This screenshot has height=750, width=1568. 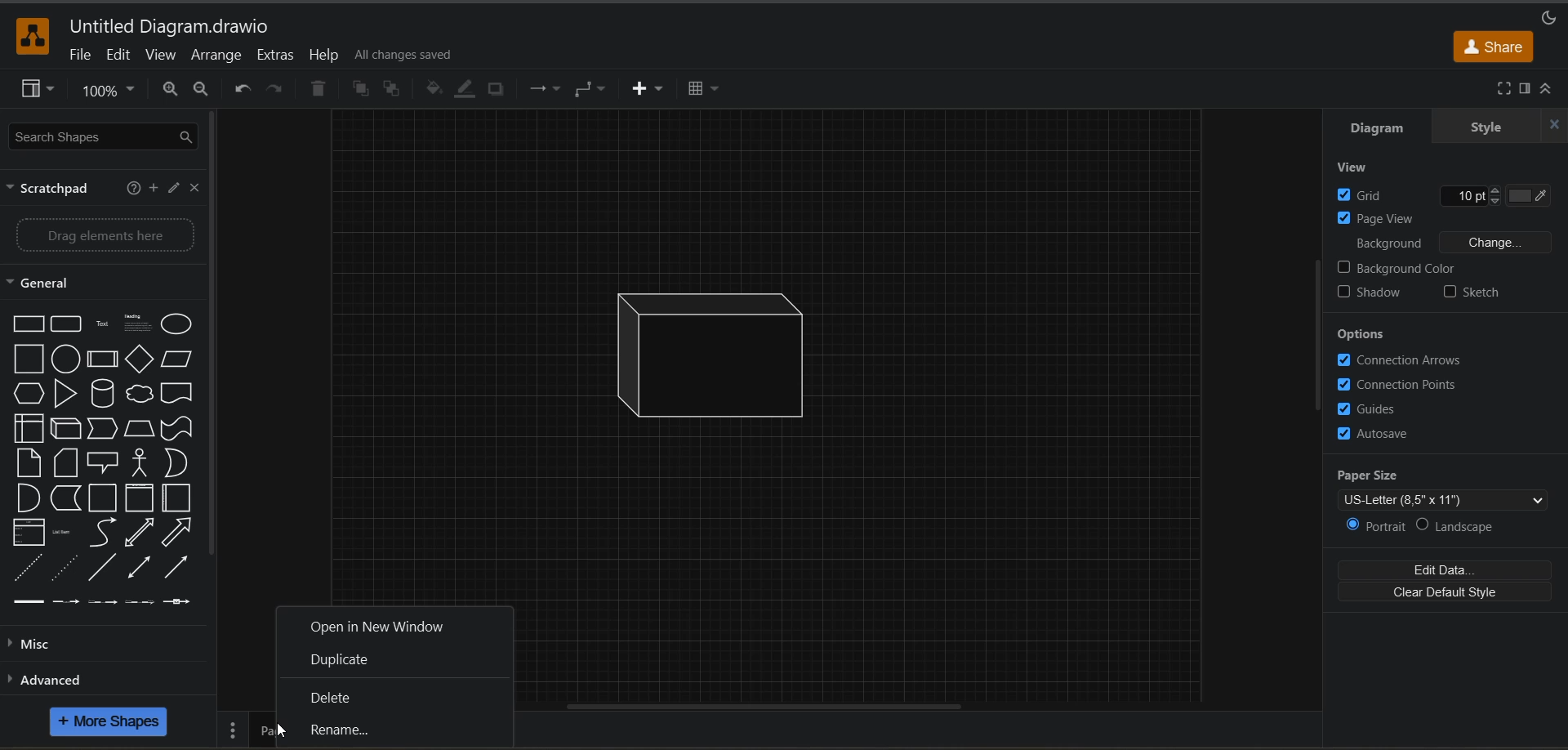 What do you see at coordinates (243, 87) in the screenshot?
I see `undo` at bounding box center [243, 87].